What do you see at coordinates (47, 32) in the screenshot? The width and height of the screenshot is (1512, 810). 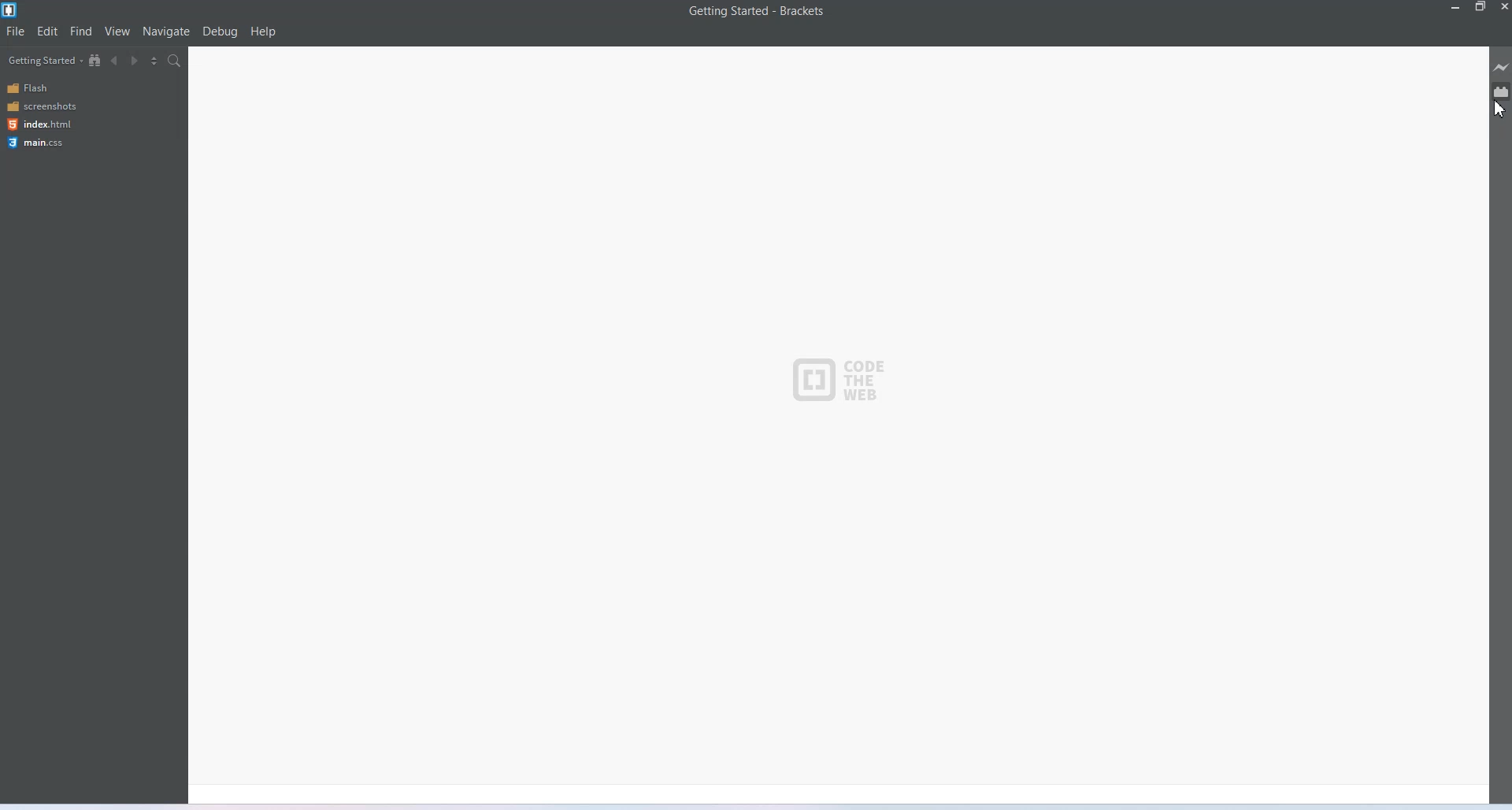 I see `Edit` at bounding box center [47, 32].